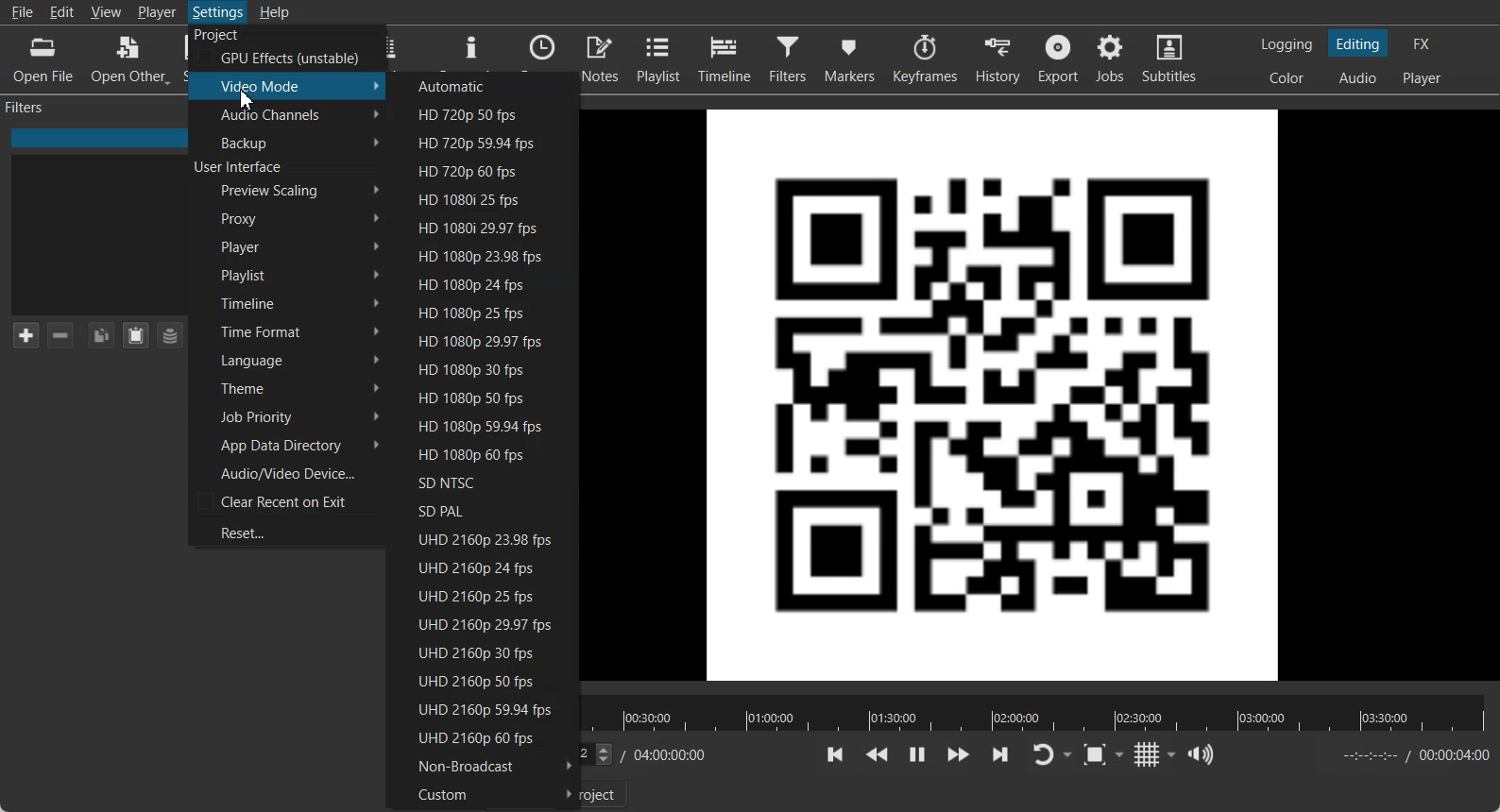 This screenshot has height=812, width=1500. I want to click on Reset, so click(285, 531).